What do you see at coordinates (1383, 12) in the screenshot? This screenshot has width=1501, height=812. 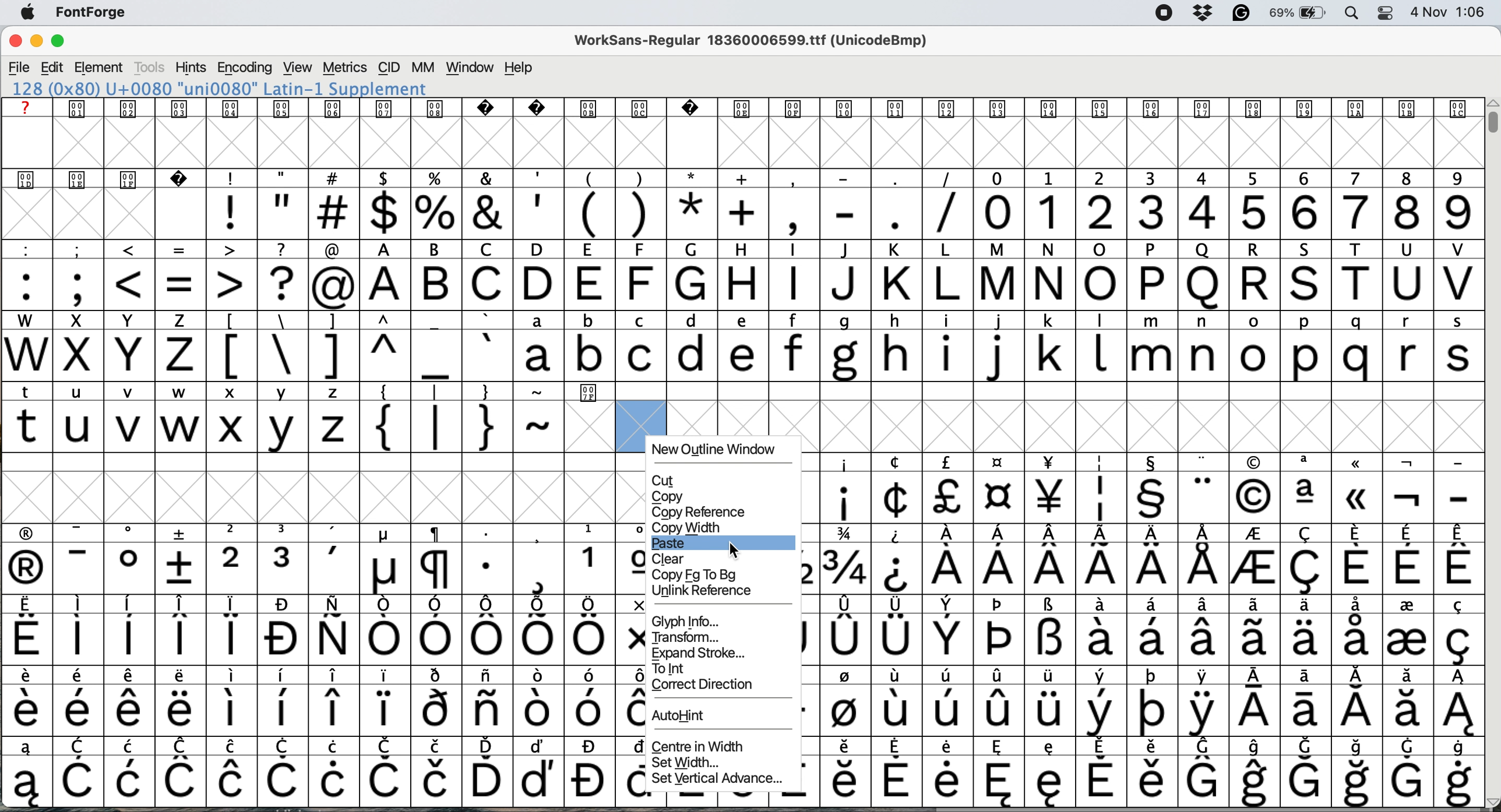 I see `control center` at bounding box center [1383, 12].